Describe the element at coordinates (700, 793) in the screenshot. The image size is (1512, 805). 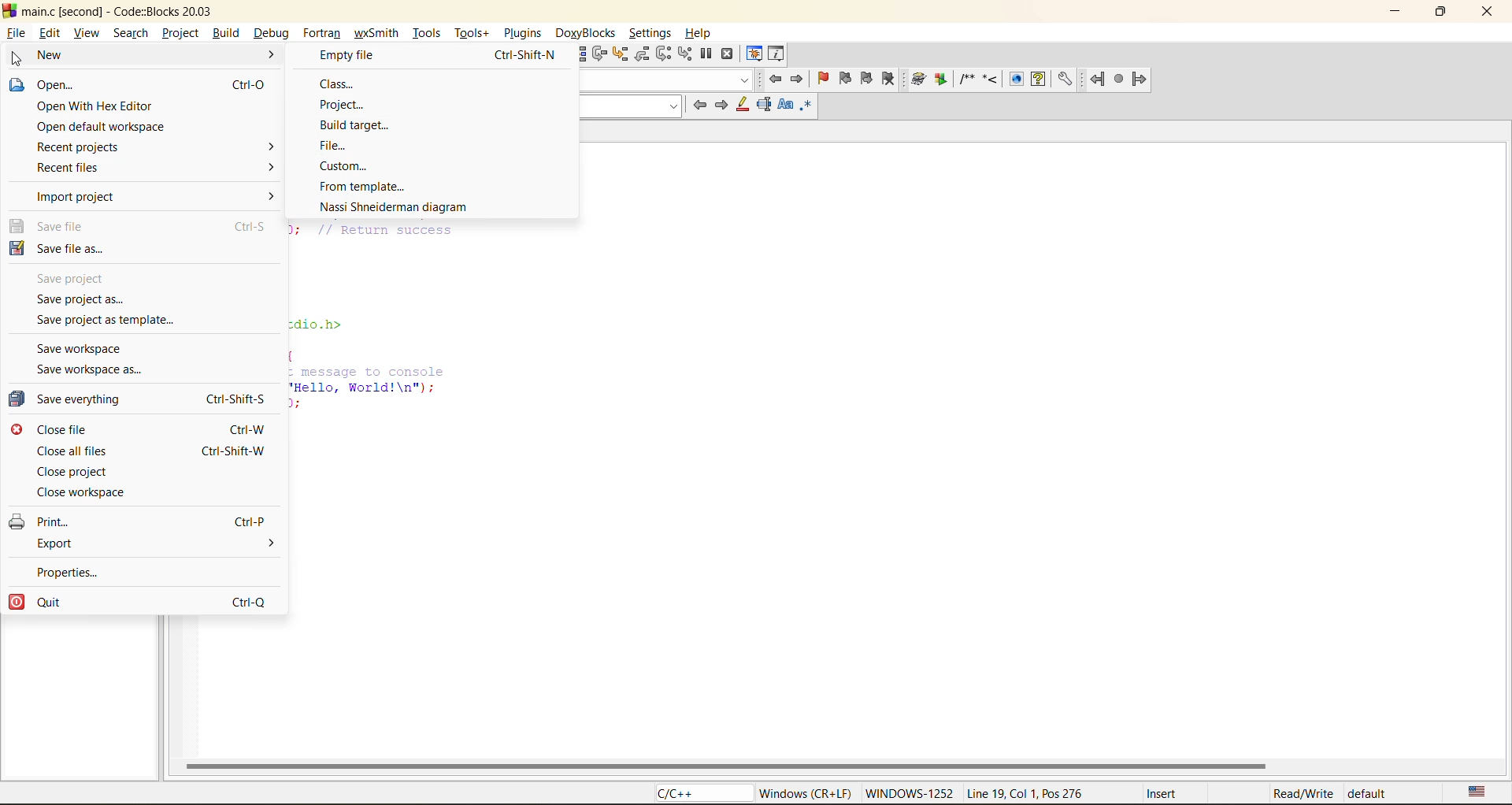
I see `language` at that location.